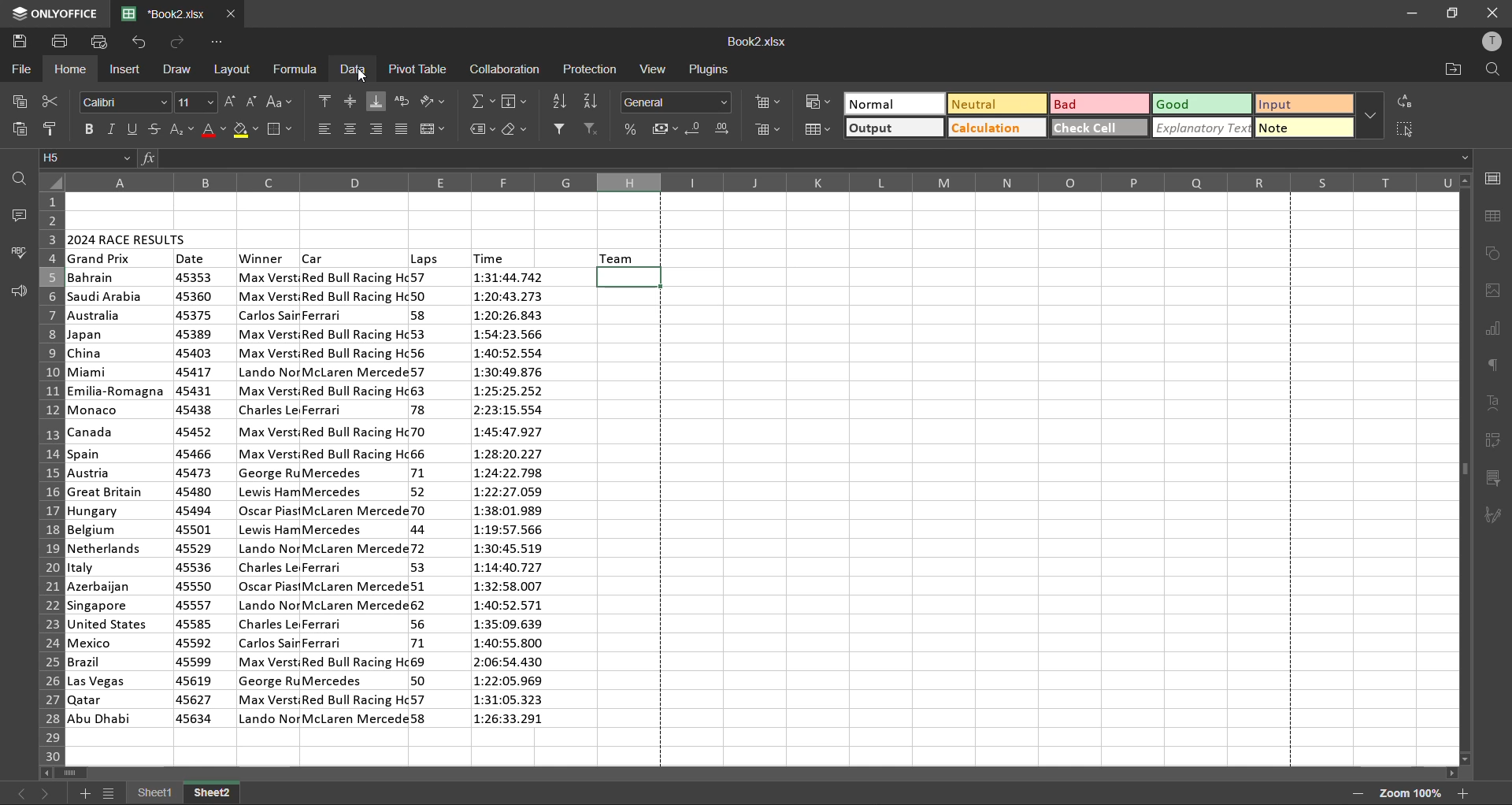 The height and width of the screenshot is (805, 1512). What do you see at coordinates (424, 258) in the screenshot?
I see `laps` at bounding box center [424, 258].